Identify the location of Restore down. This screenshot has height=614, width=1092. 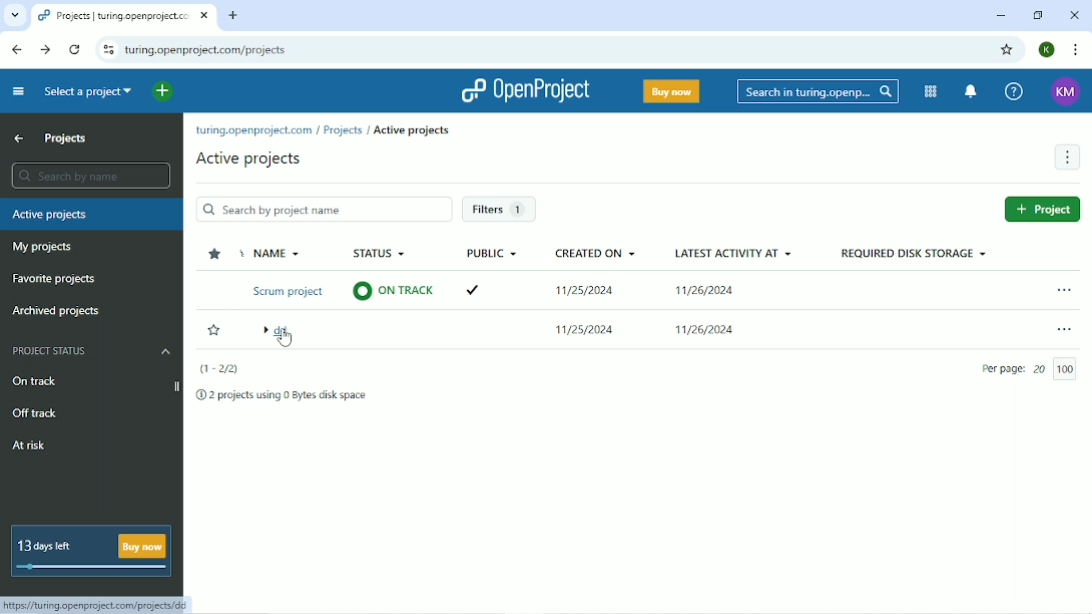
(1039, 15).